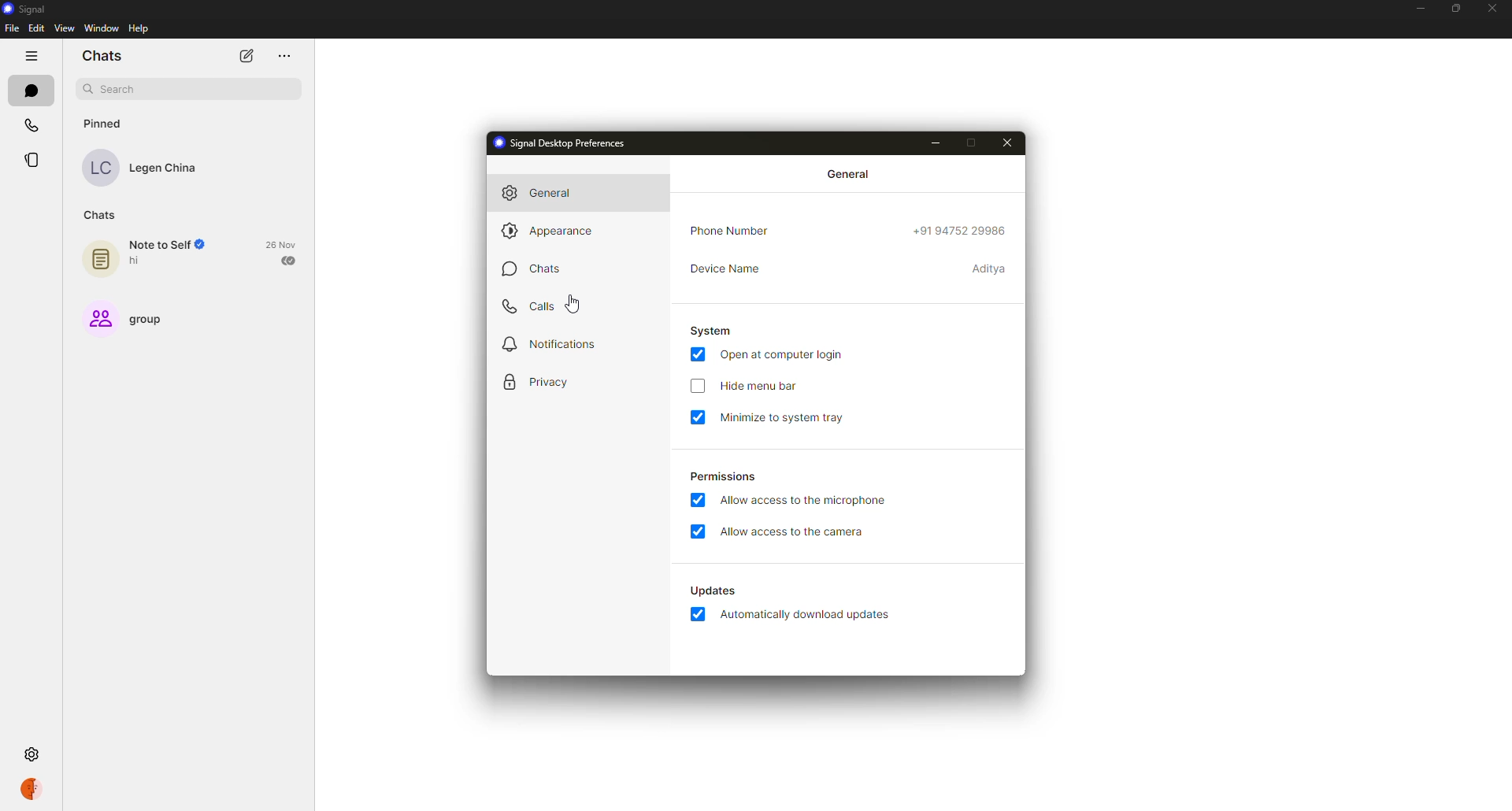 The height and width of the screenshot is (811, 1512). I want to click on system, so click(714, 332).